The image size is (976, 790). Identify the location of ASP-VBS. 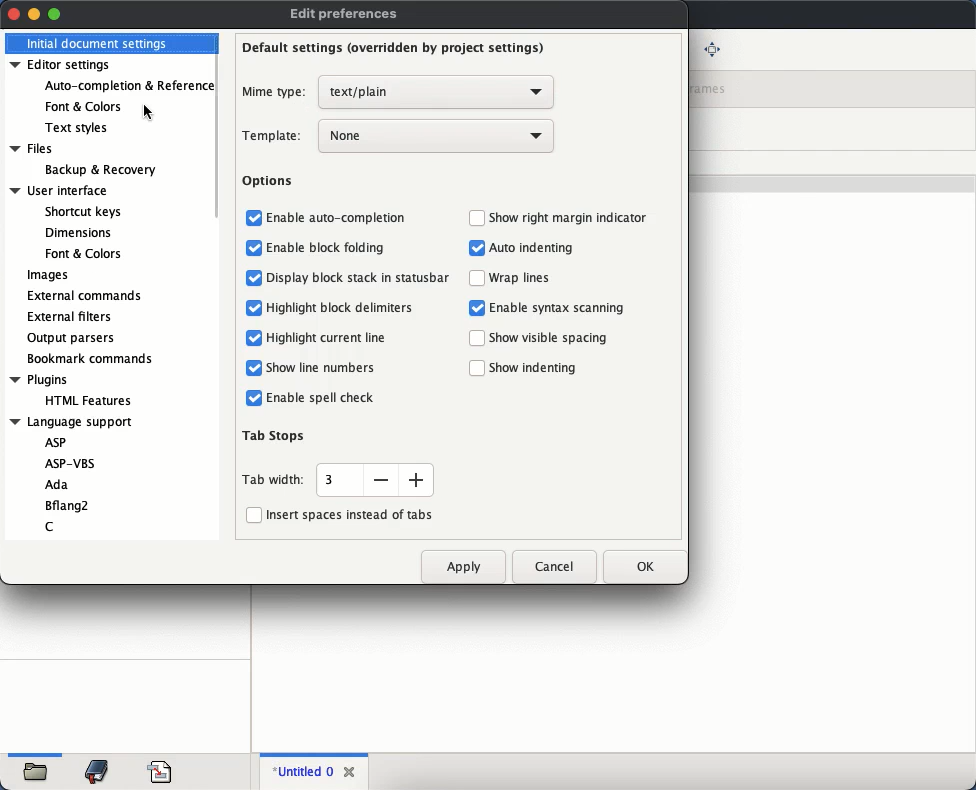
(69, 464).